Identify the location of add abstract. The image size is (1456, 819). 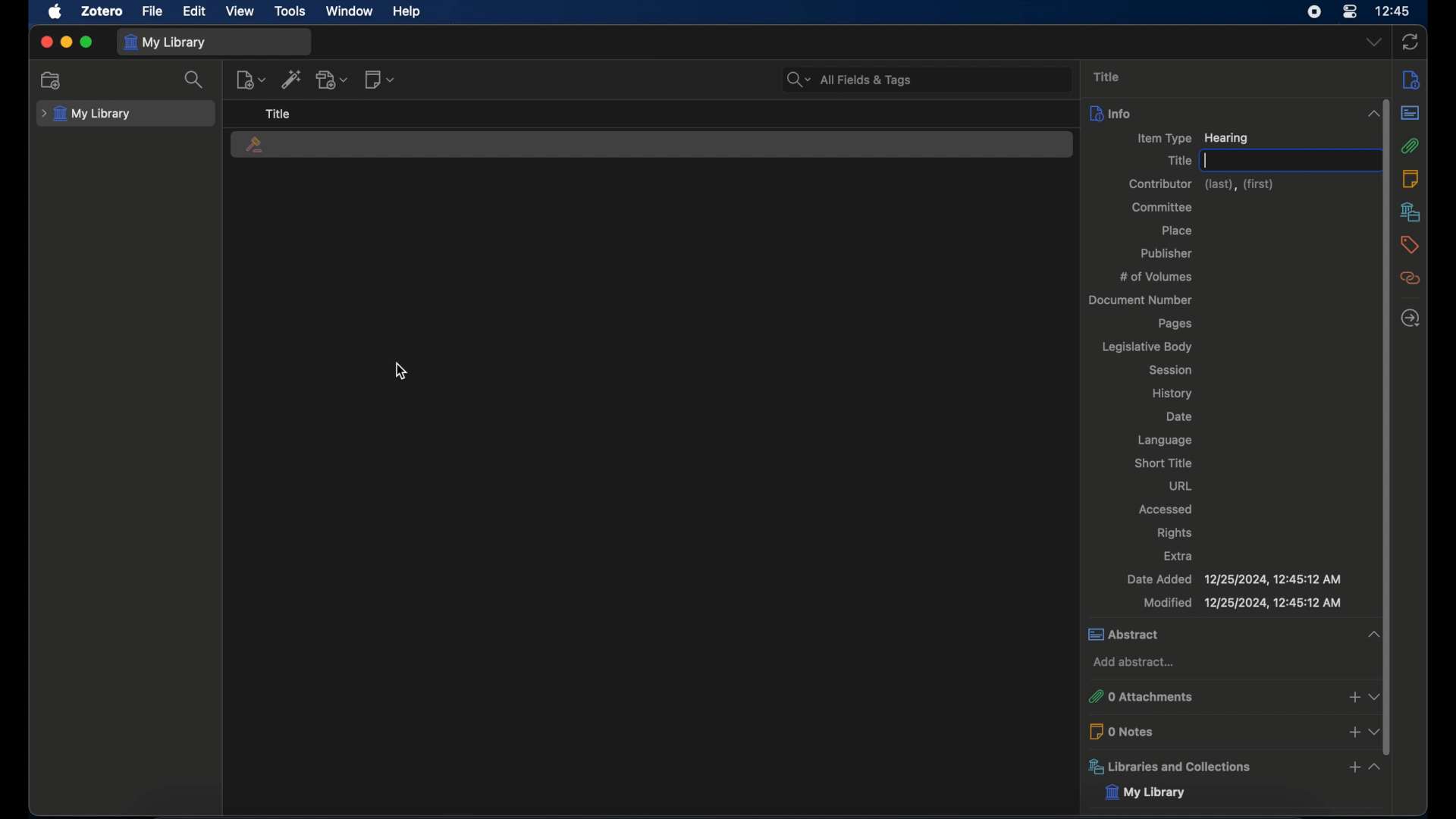
(1134, 663).